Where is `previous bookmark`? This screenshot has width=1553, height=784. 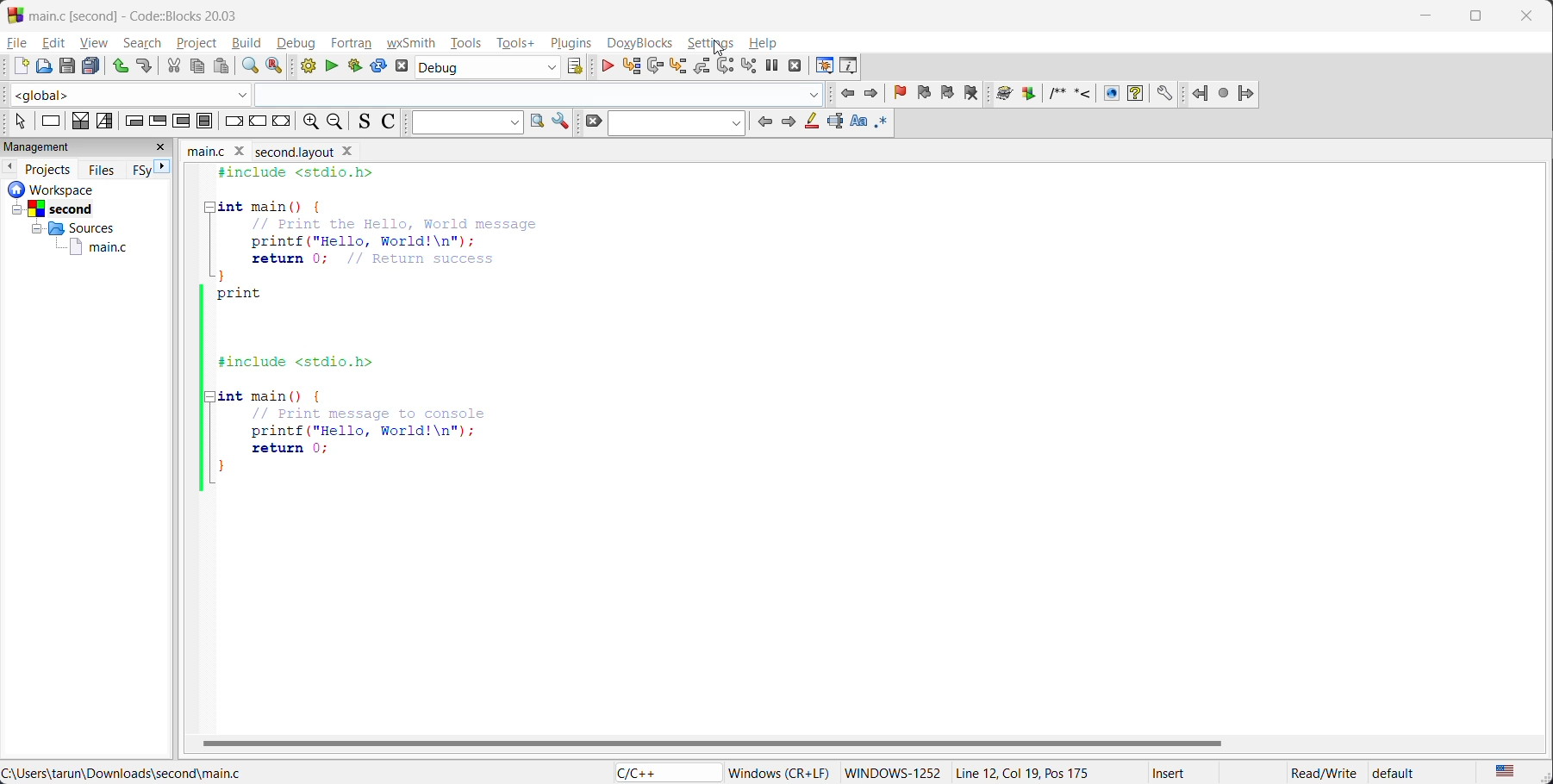
previous bookmark is located at coordinates (926, 94).